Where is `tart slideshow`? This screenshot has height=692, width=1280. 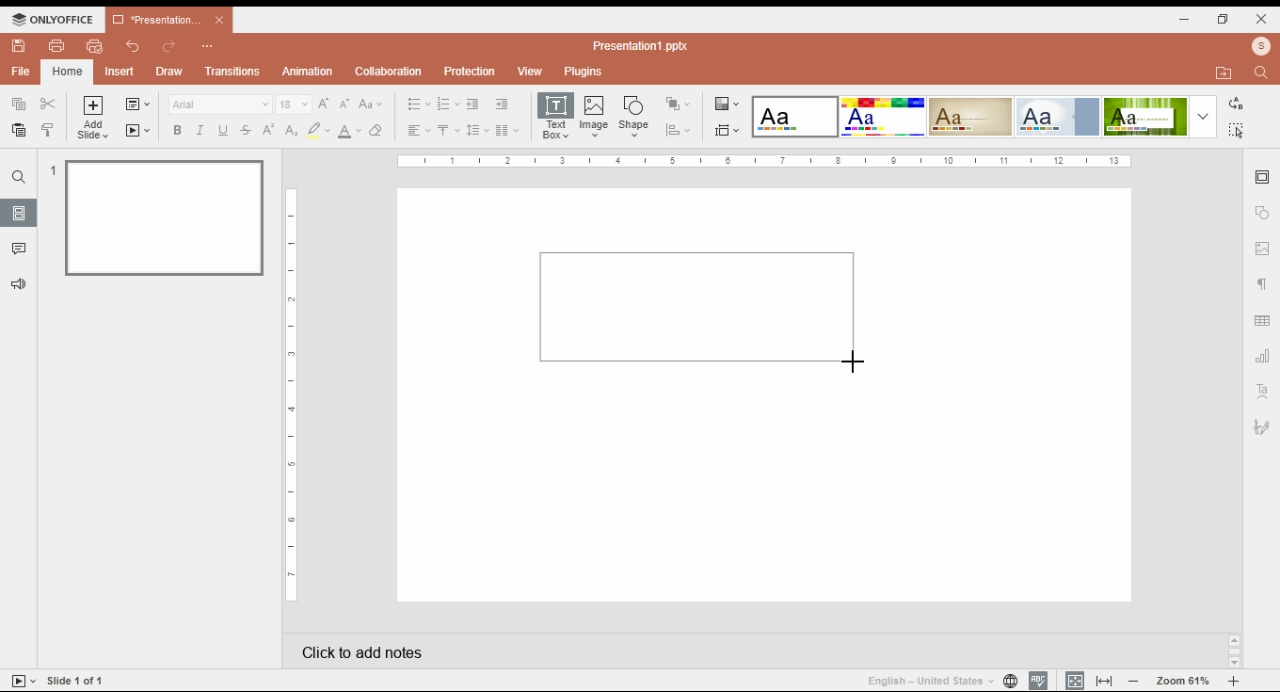 tart slideshow is located at coordinates (24, 680).